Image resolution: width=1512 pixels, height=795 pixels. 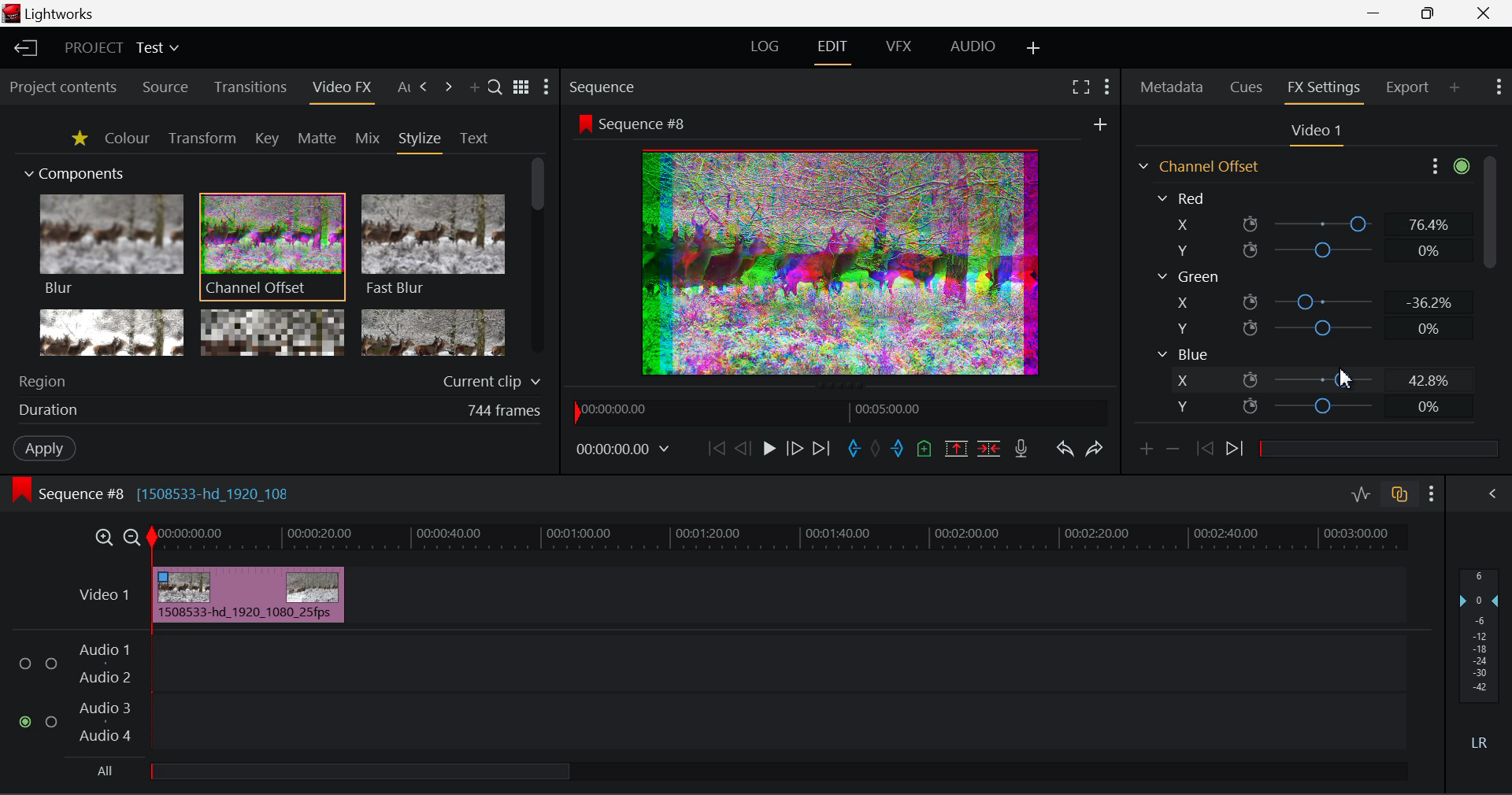 I want to click on Channel Offset, so click(x=1196, y=166).